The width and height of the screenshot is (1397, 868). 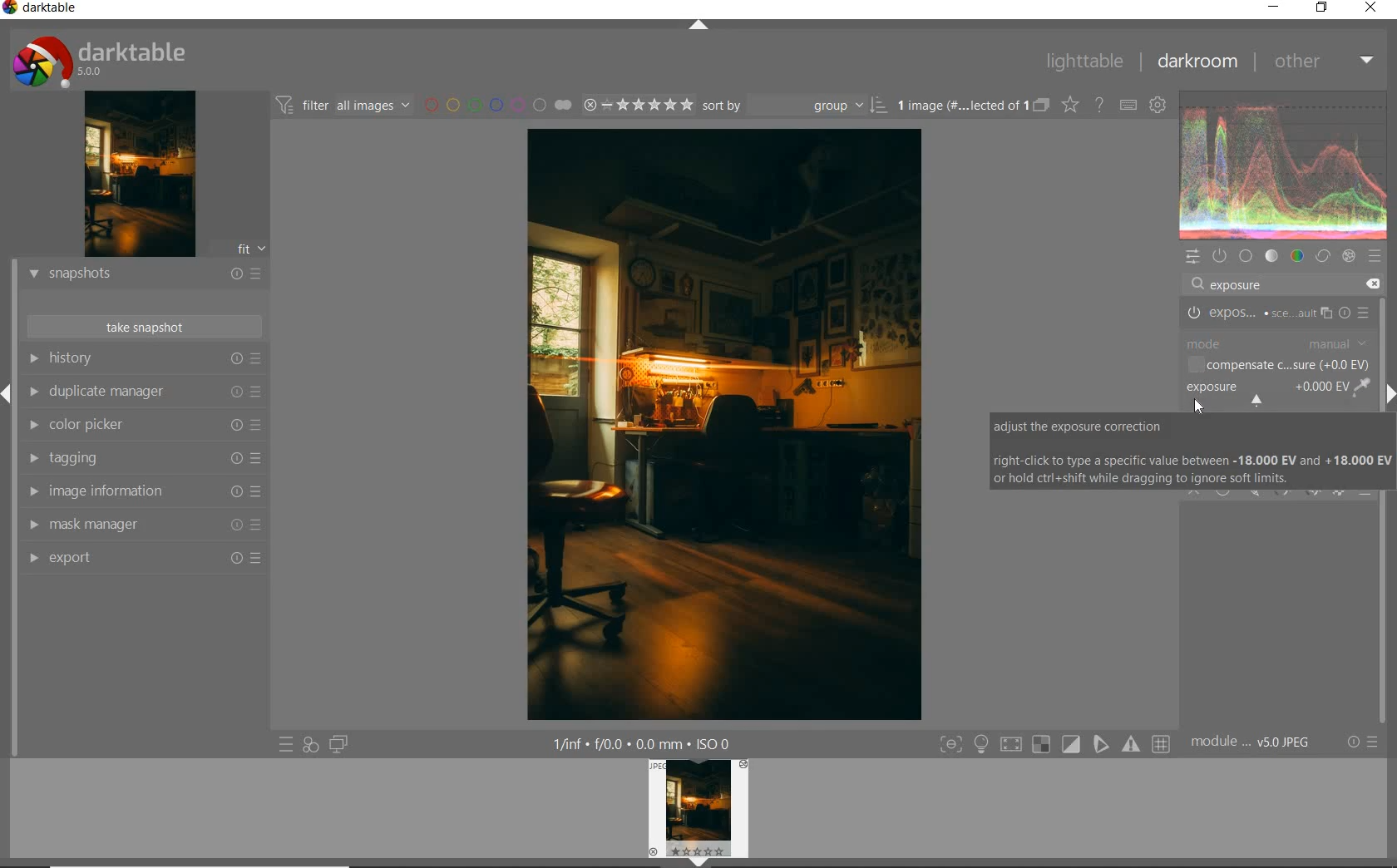 I want to click on module, so click(x=1255, y=743).